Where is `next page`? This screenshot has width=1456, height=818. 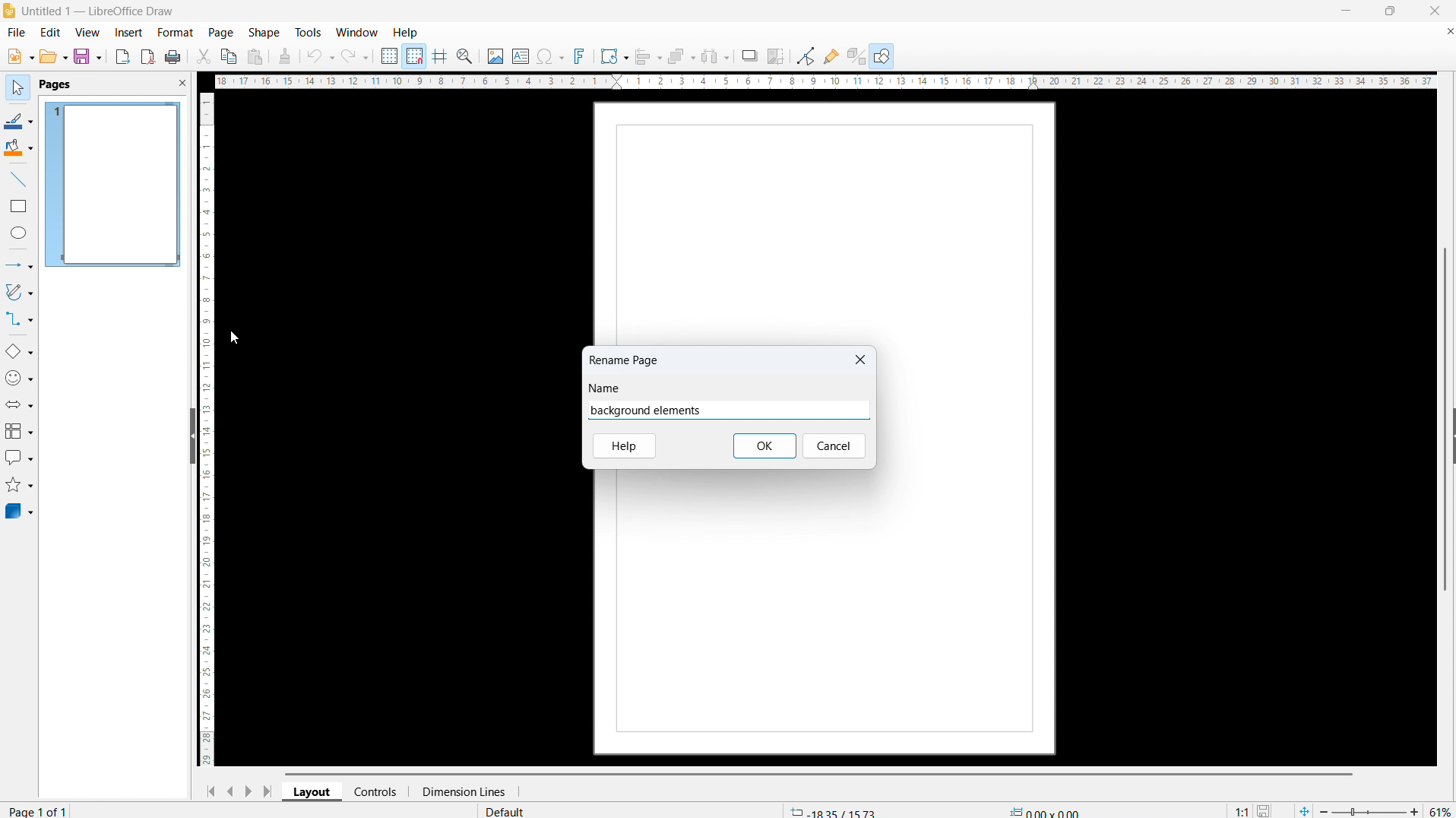 next page is located at coordinates (248, 791).